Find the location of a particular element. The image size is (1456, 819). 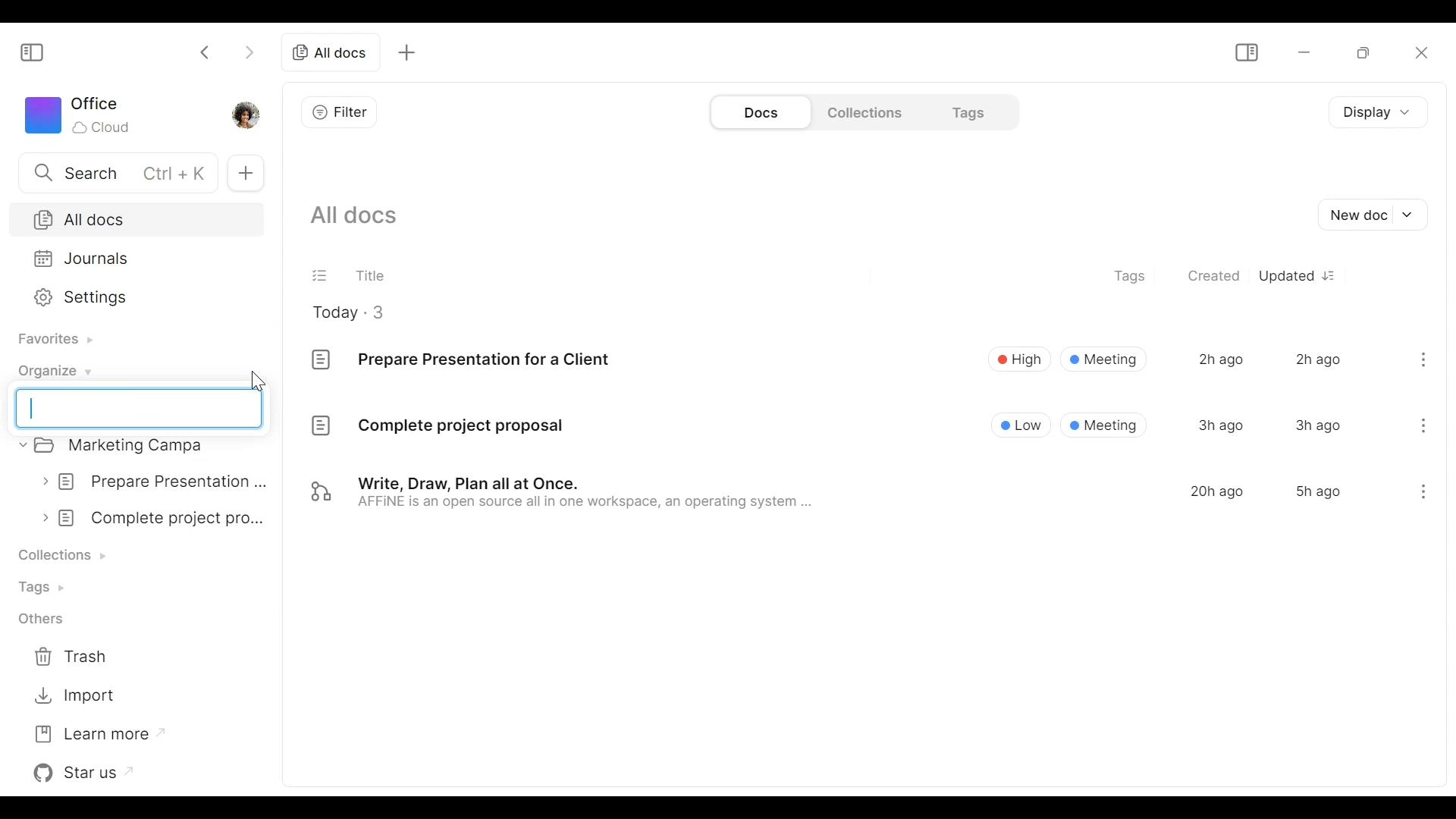

Display is located at coordinates (1373, 114).